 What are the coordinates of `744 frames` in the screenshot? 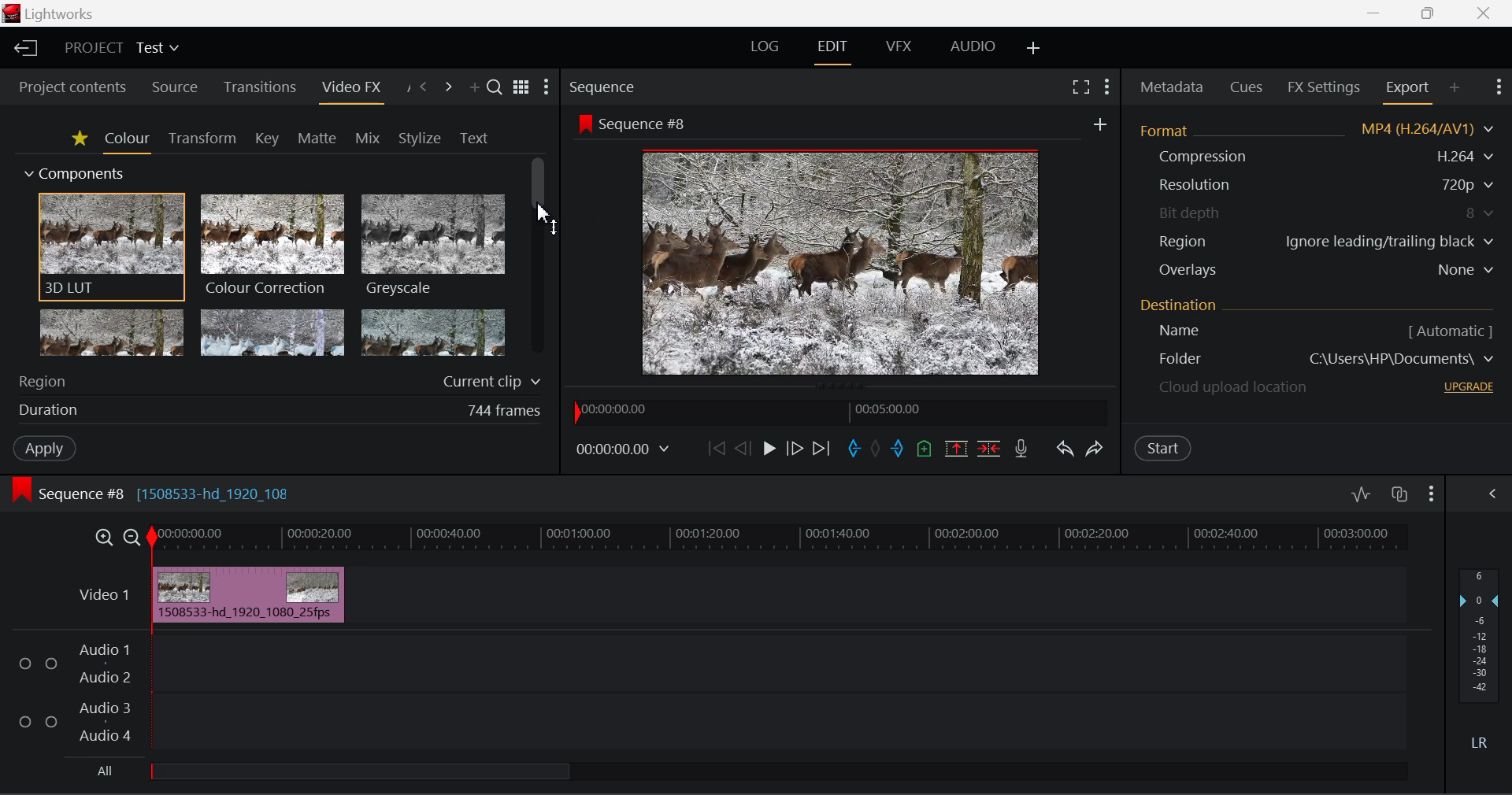 It's located at (504, 411).